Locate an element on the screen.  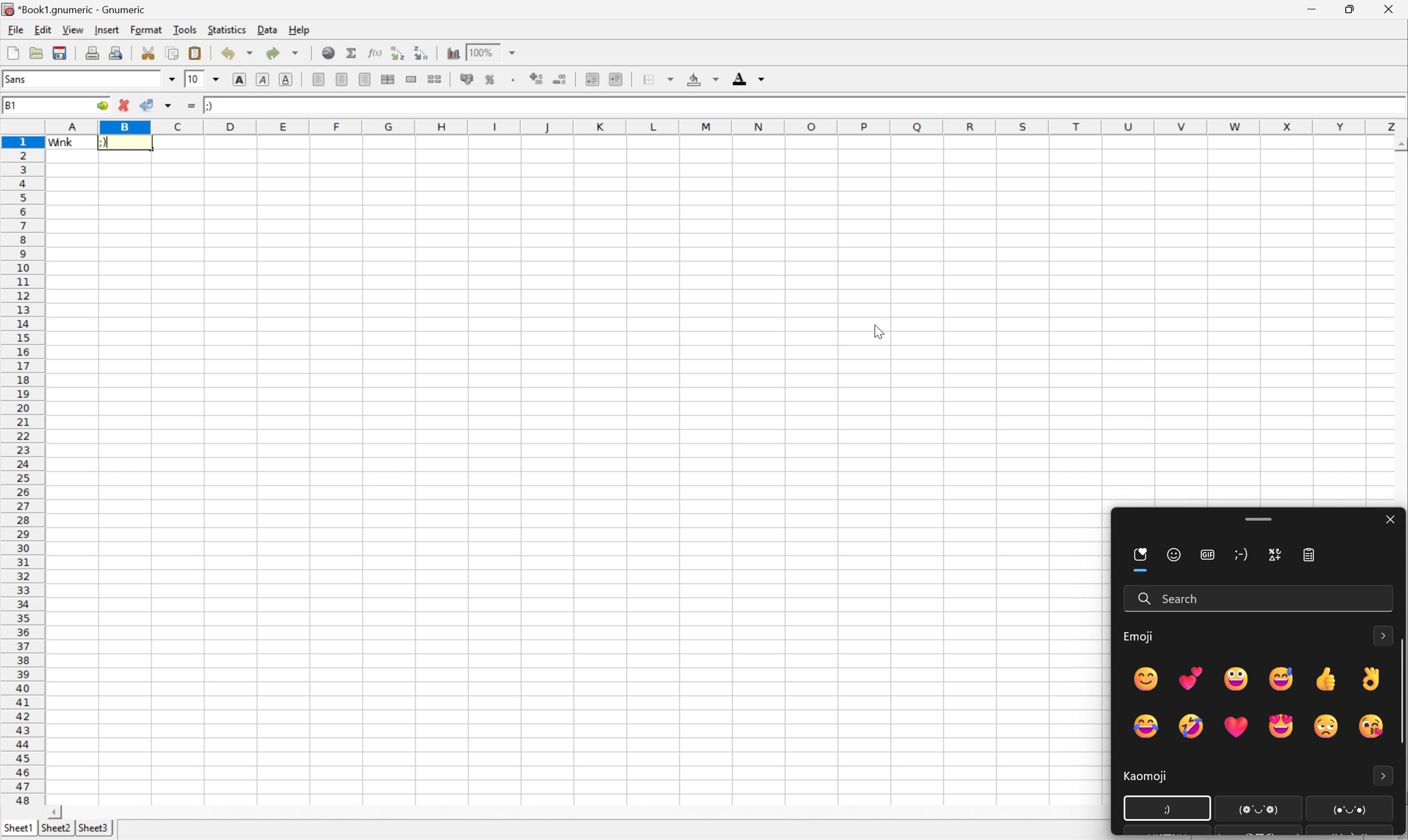
more is located at coordinates (1384, 774).